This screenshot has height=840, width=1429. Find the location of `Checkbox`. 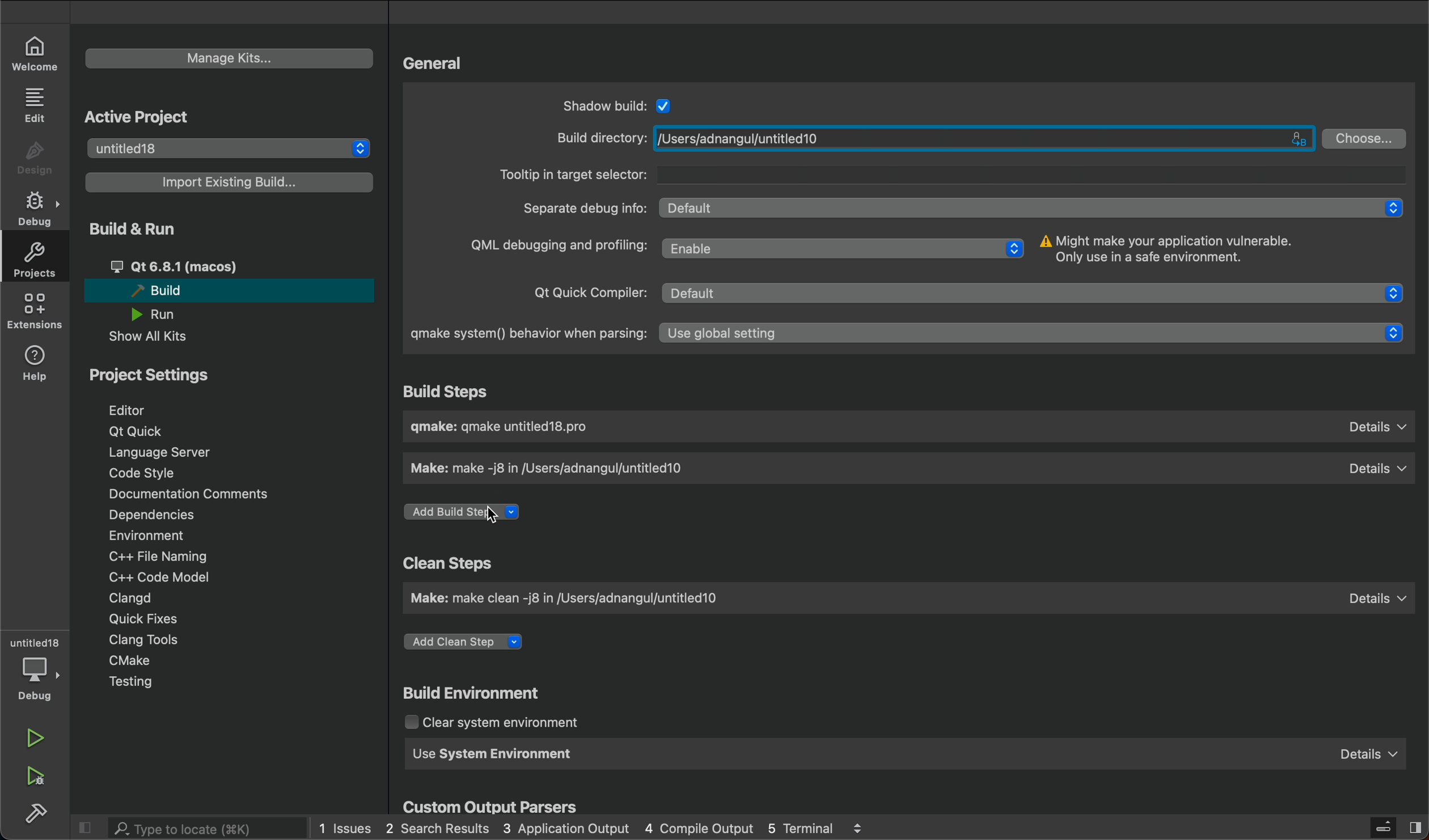

Checkbox is located at coordinates (666, 103).